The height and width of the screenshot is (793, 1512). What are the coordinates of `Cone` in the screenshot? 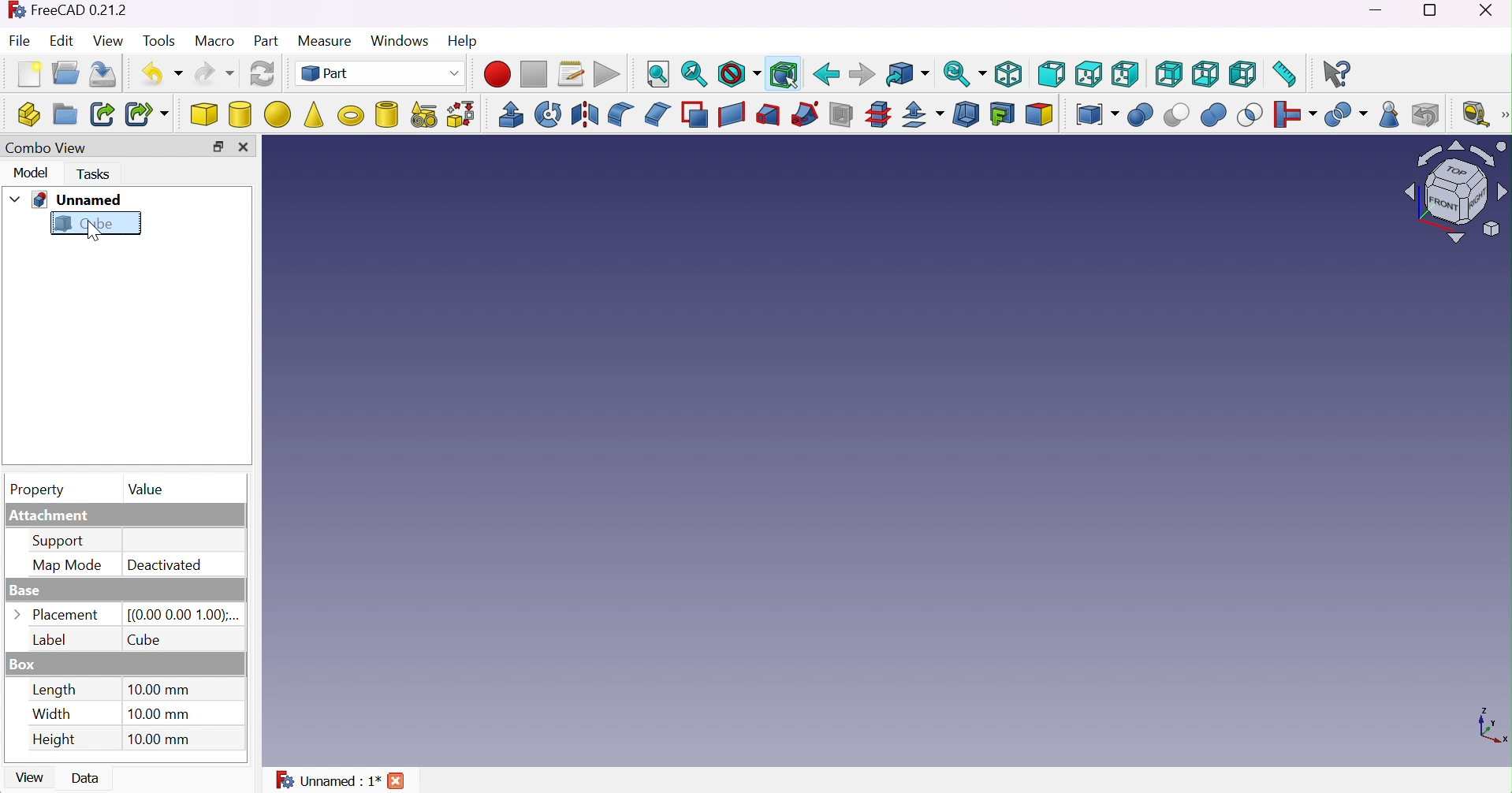 It's located at (316, 114).